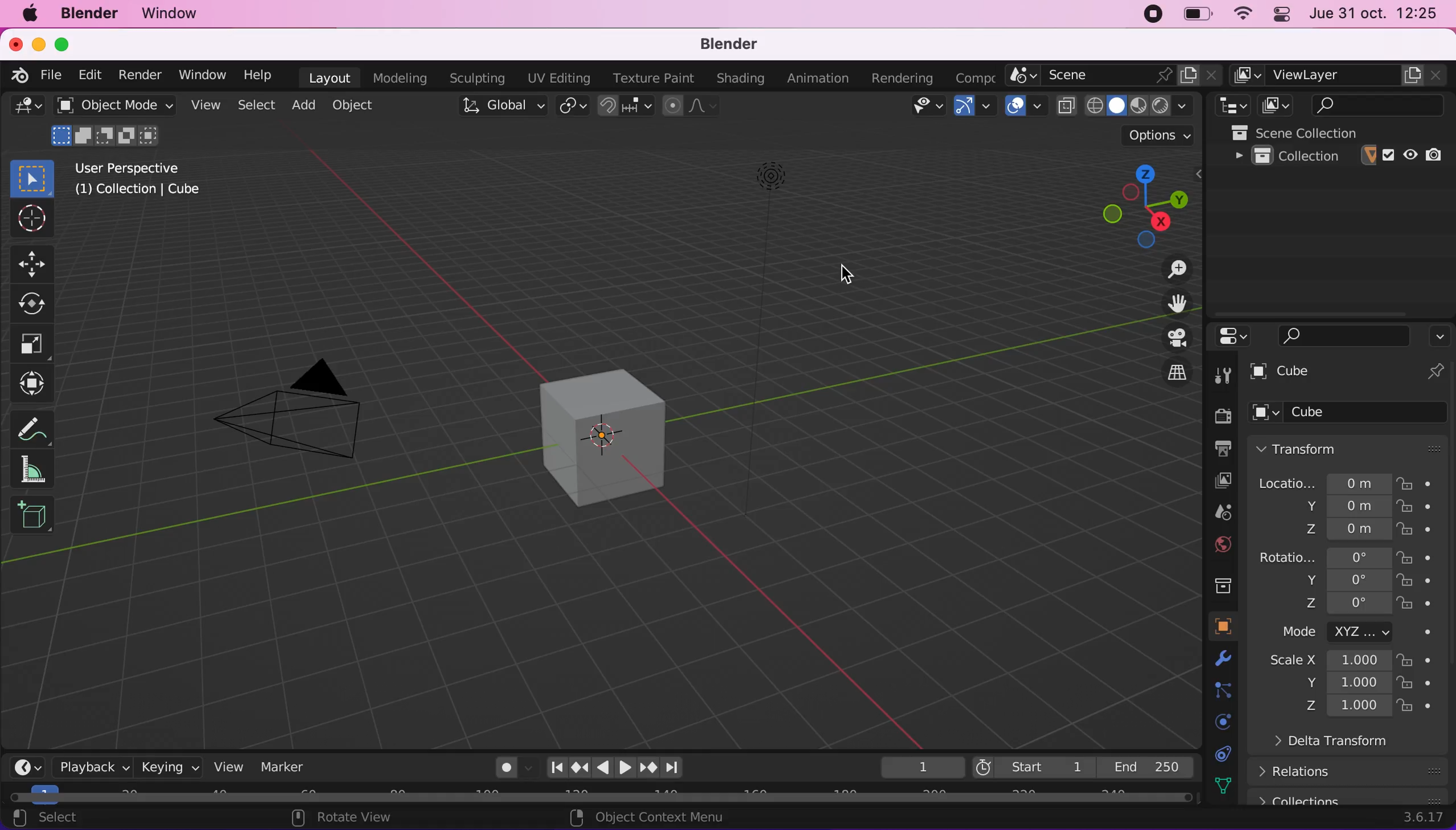  I want to click on light, so click(765, 192).